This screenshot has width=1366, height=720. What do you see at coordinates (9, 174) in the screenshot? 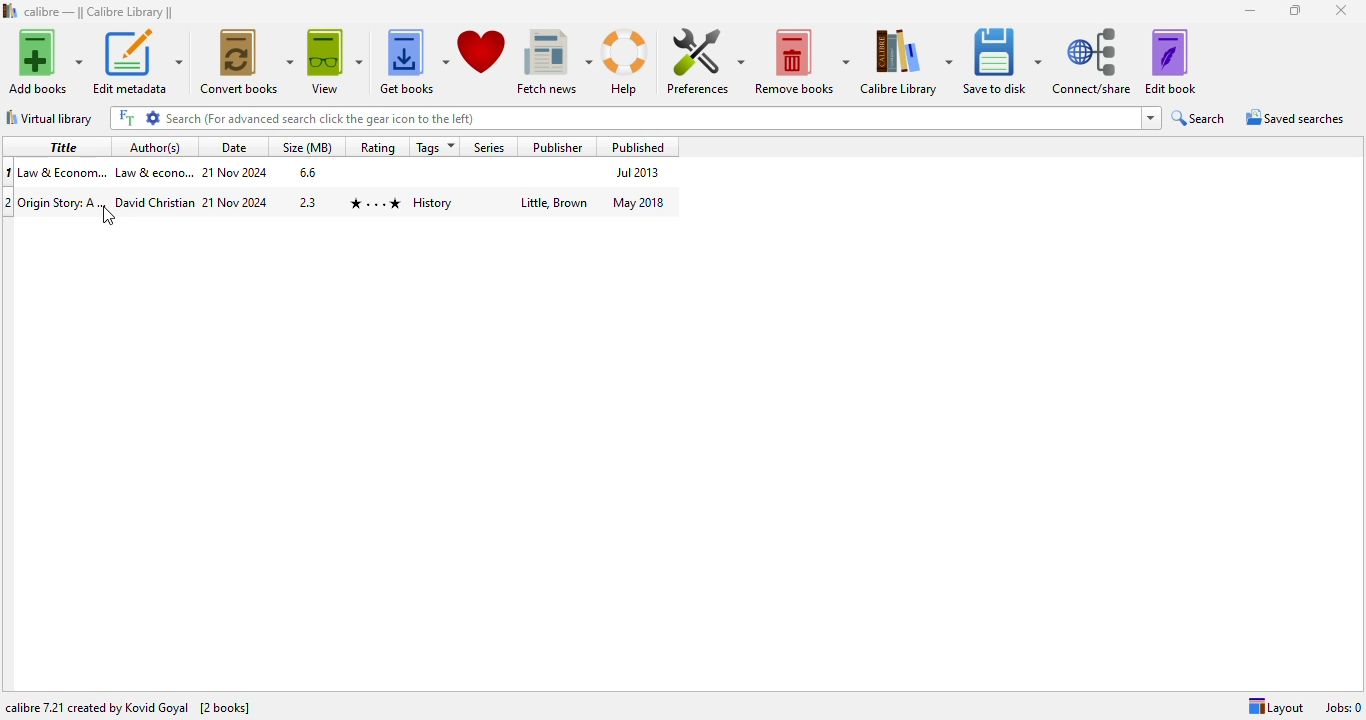
I see `index numbers` at bounding box center [9, 174].